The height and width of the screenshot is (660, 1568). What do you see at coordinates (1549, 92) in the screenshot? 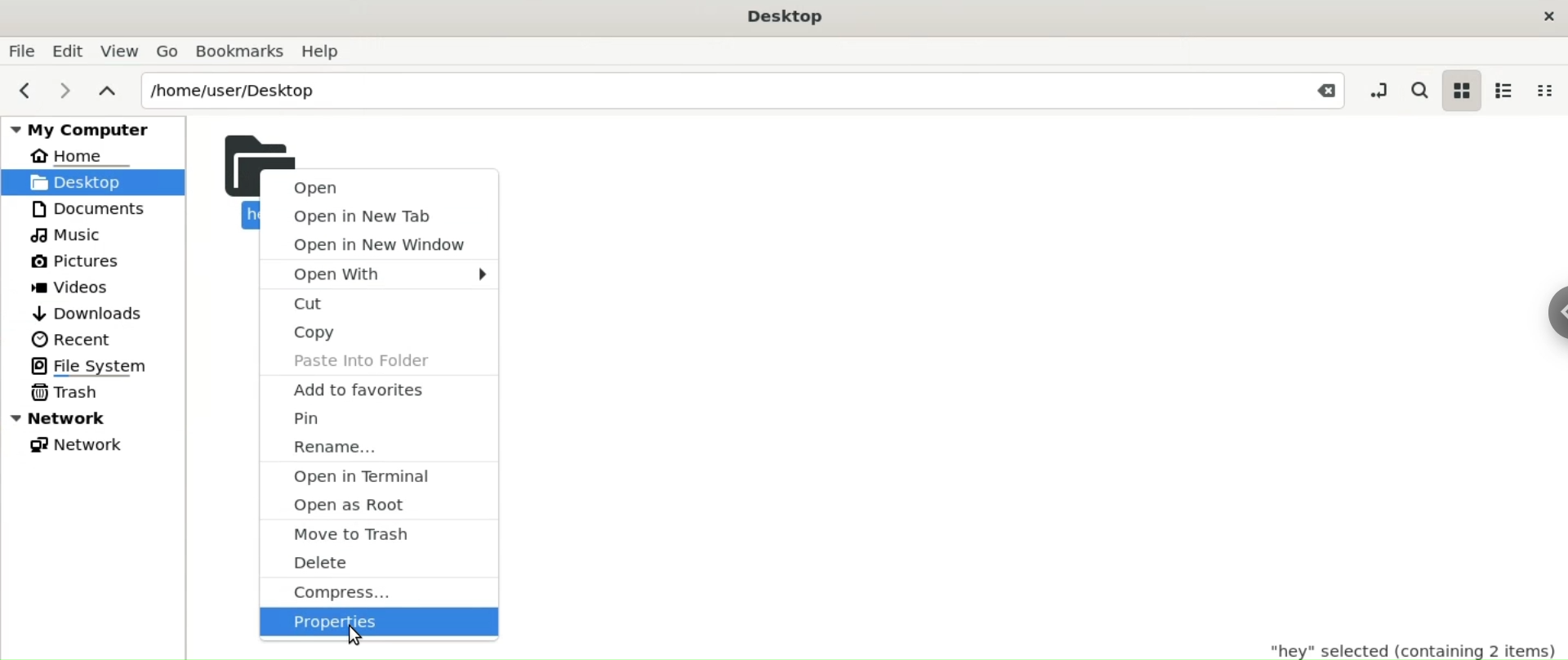
I see `compact view` at bounding box center [1549, 92].